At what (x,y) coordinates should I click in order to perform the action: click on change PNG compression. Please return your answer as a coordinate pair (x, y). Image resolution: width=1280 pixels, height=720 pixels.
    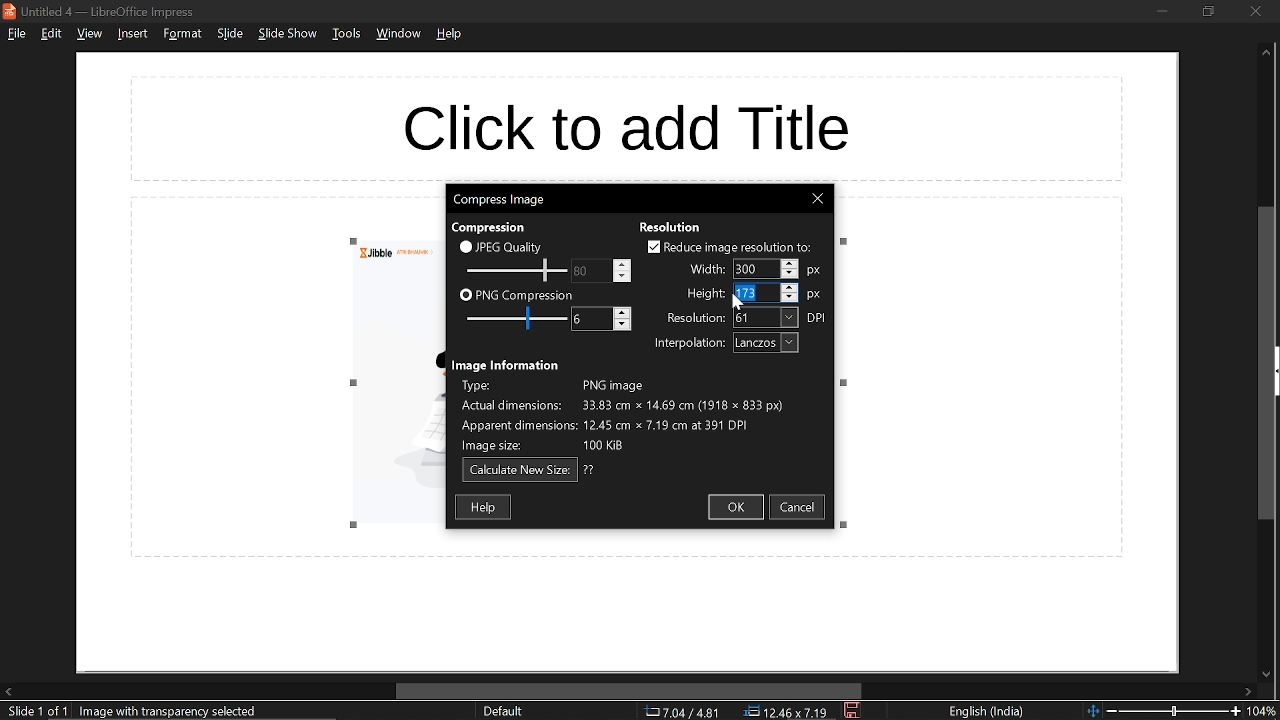
    Looking at the image, I should click on (582, 318).